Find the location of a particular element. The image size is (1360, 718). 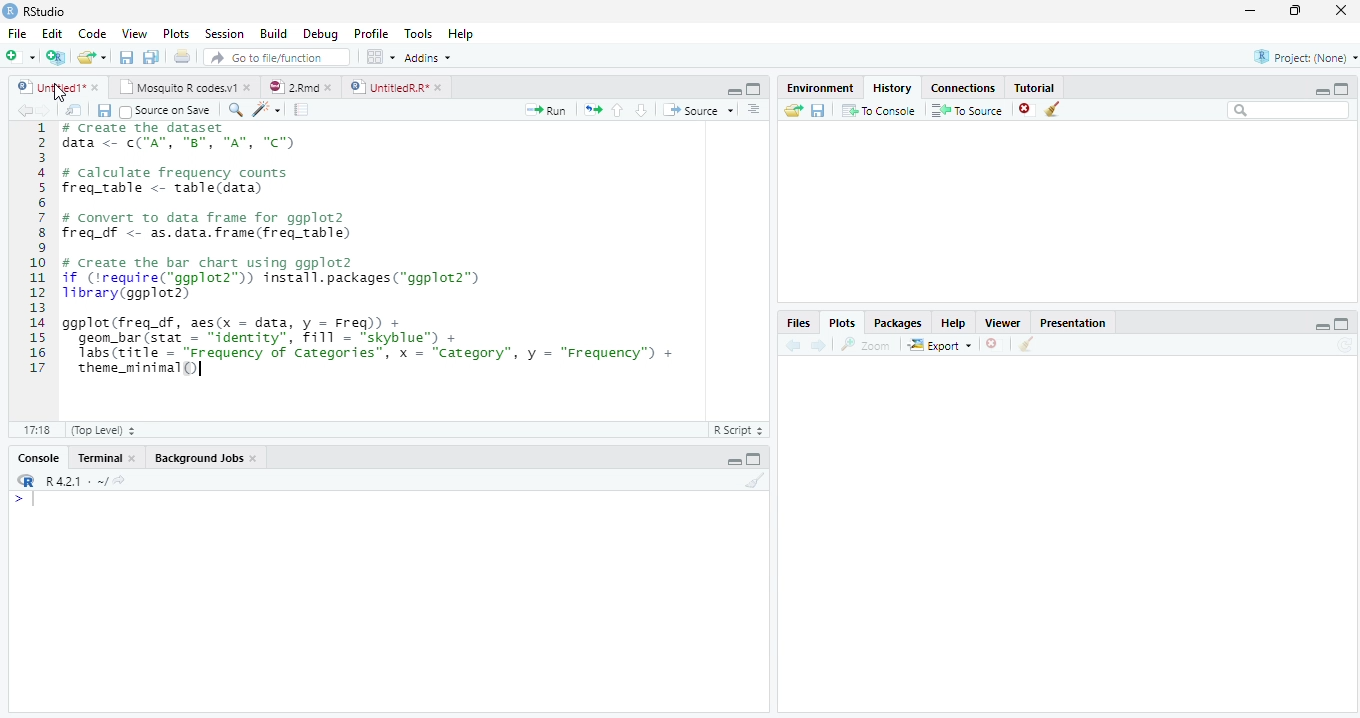

Code  is located at coordinates (269, 110).